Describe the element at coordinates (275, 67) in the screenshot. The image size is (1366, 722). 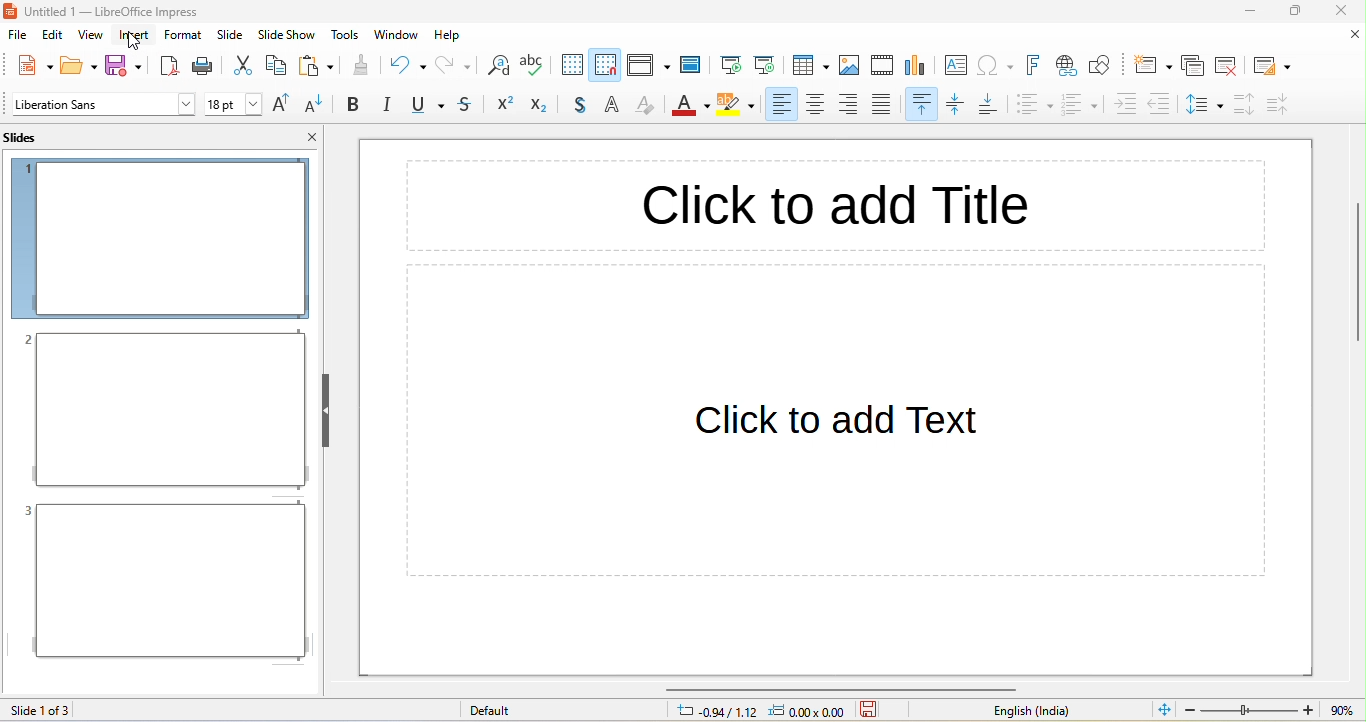
I see `ccopy` at that location.